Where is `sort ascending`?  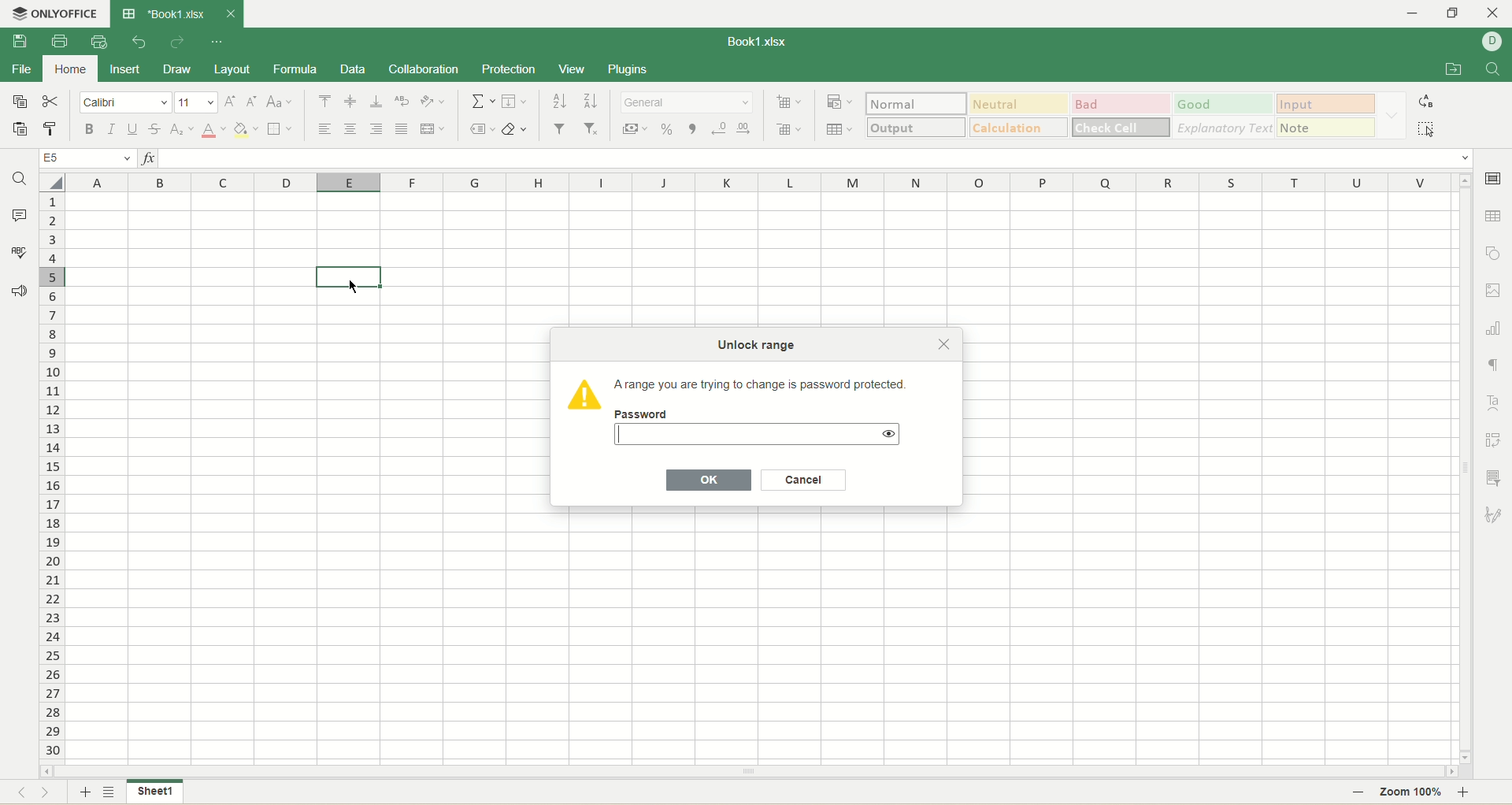
sort ascending is located at coordinates (561, 102).